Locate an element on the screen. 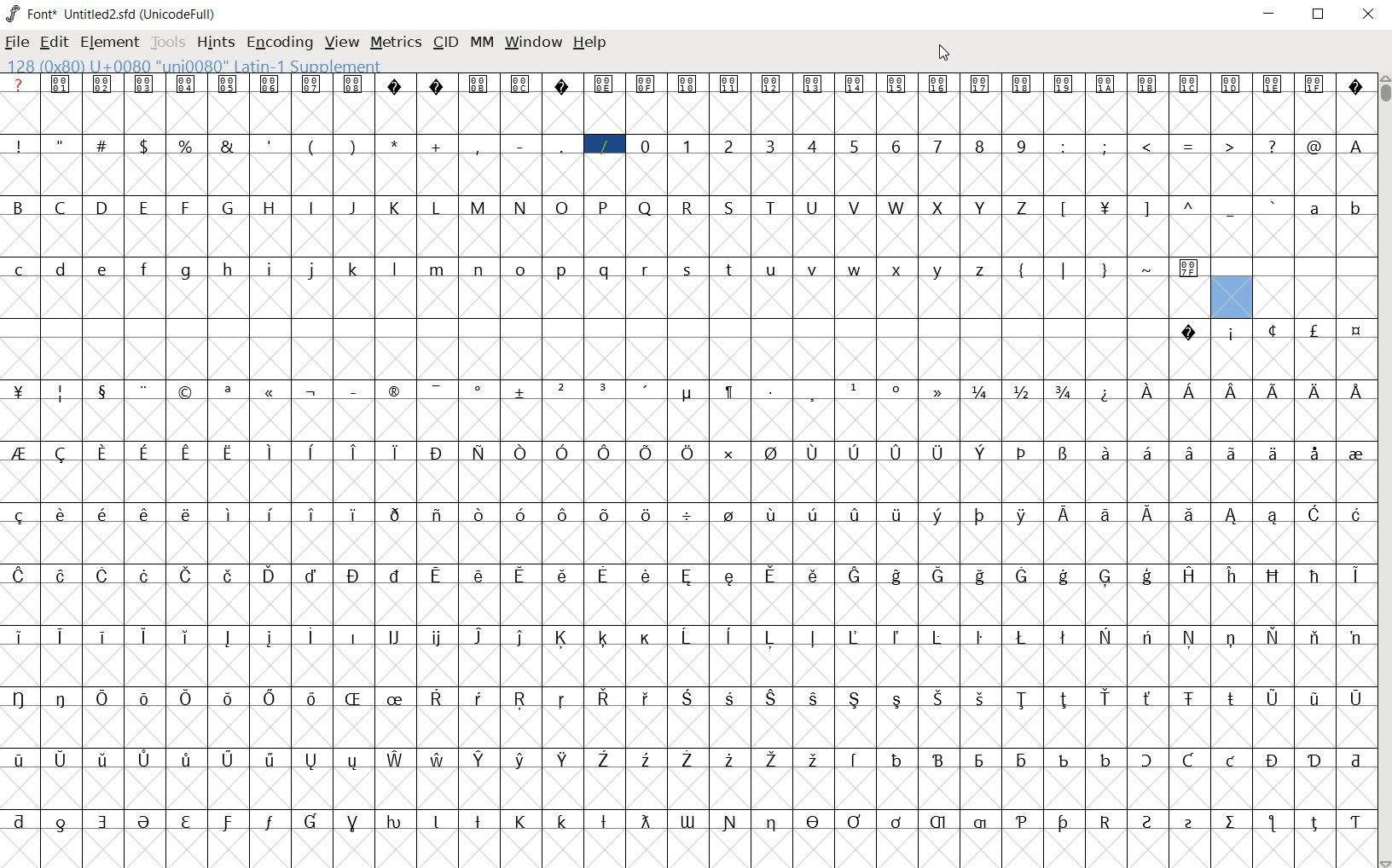 Image resolution: width=1392 pixels, height=868 pixels. glyph is located at coordinates (1314, 83).